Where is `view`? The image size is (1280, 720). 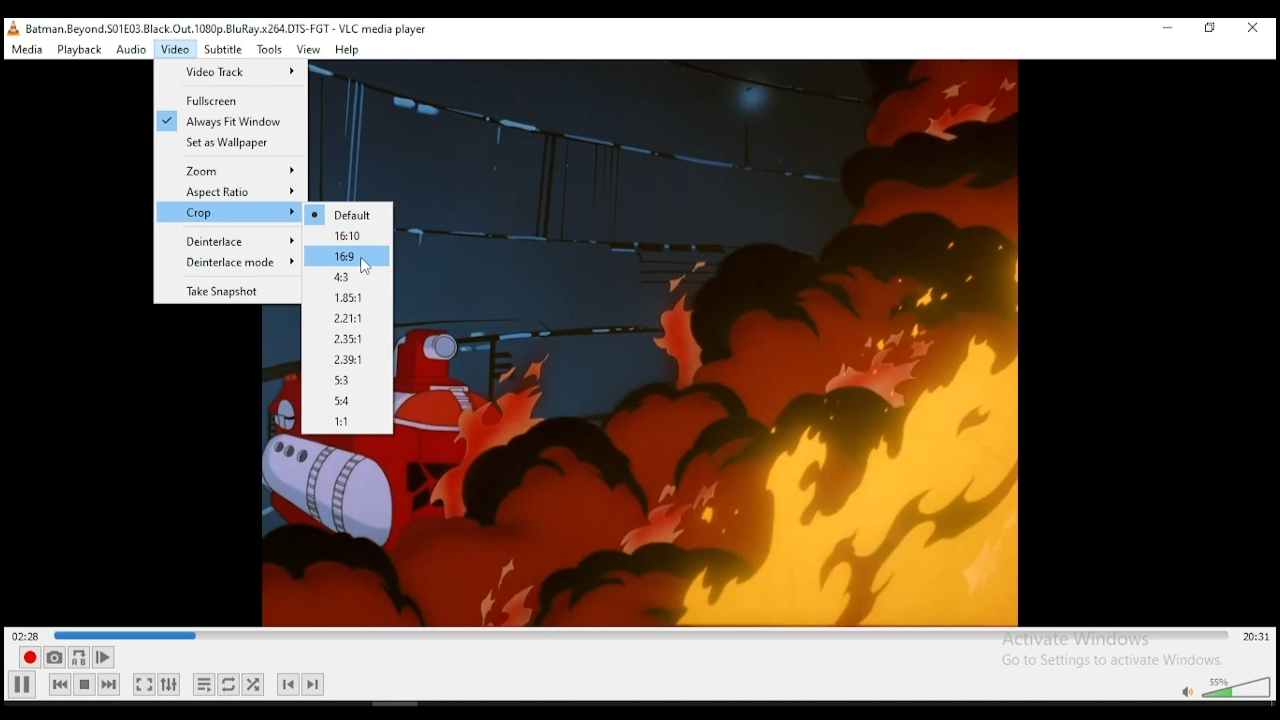
view is located at coordinates (306, 49).